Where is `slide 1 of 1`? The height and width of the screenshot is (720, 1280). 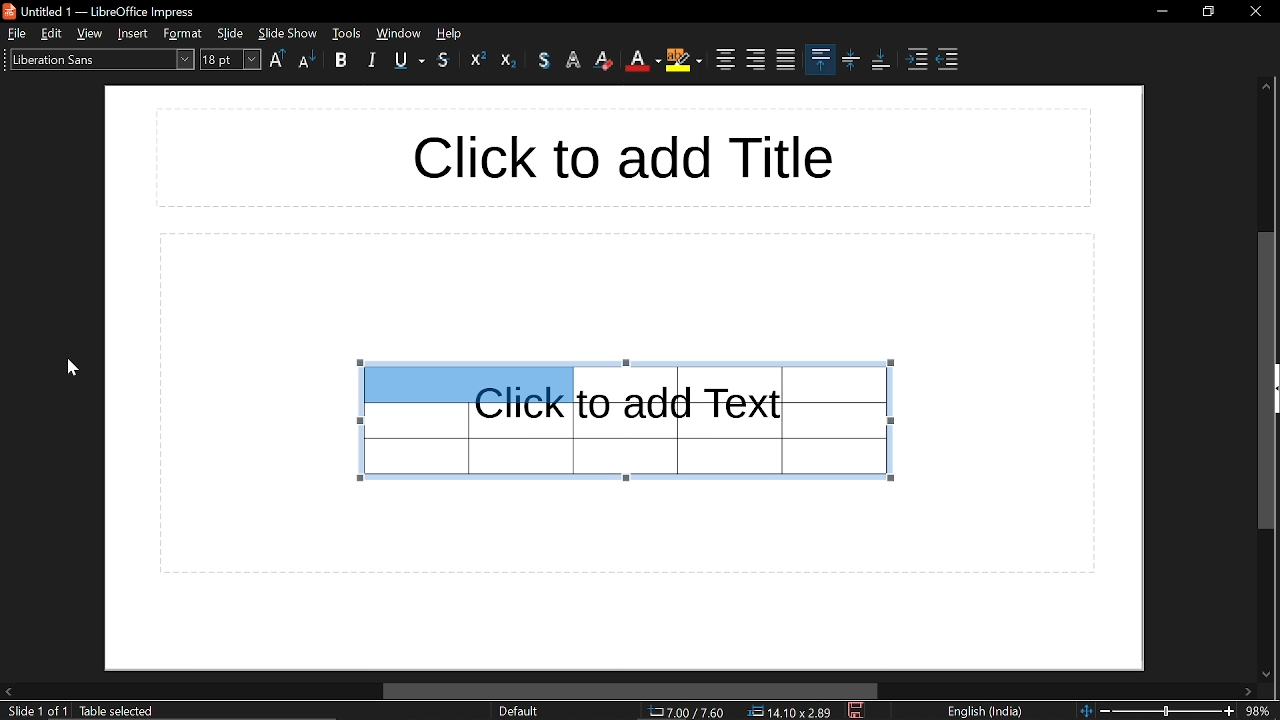
slide 1 of 1 is located at coordinates (37, 712).